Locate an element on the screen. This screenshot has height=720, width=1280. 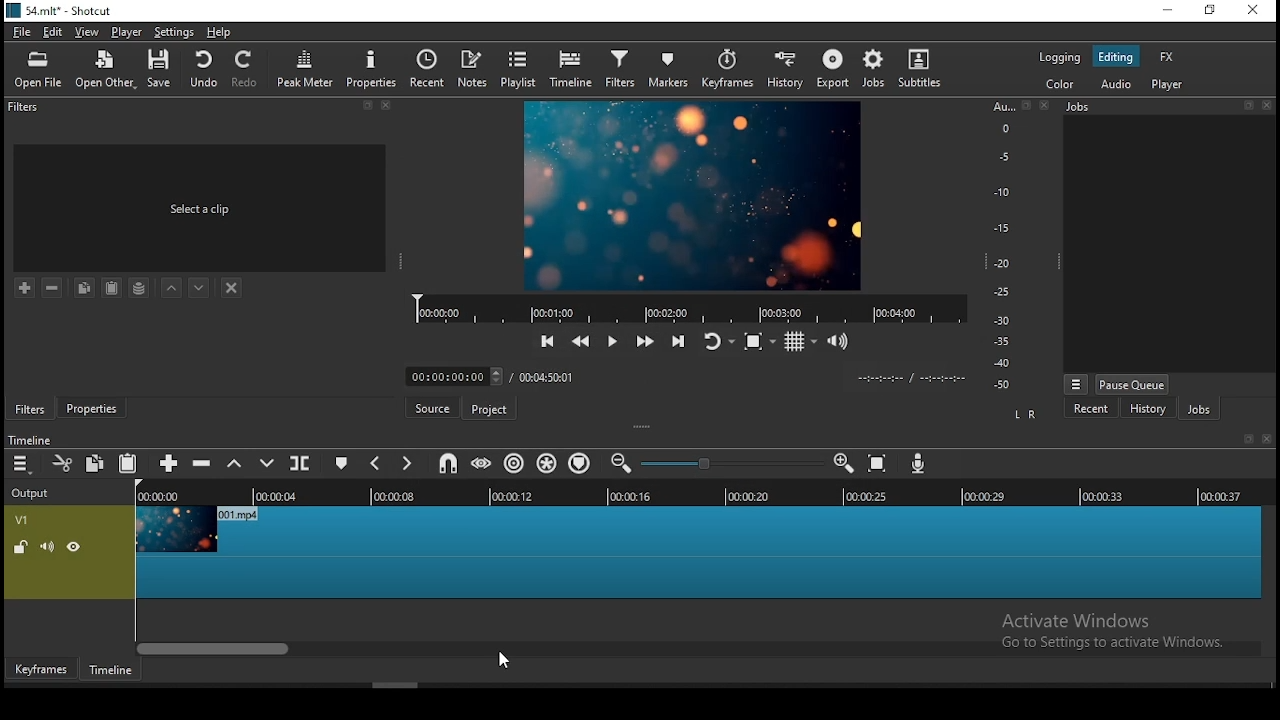
properties is located at coordinates (90, 405).